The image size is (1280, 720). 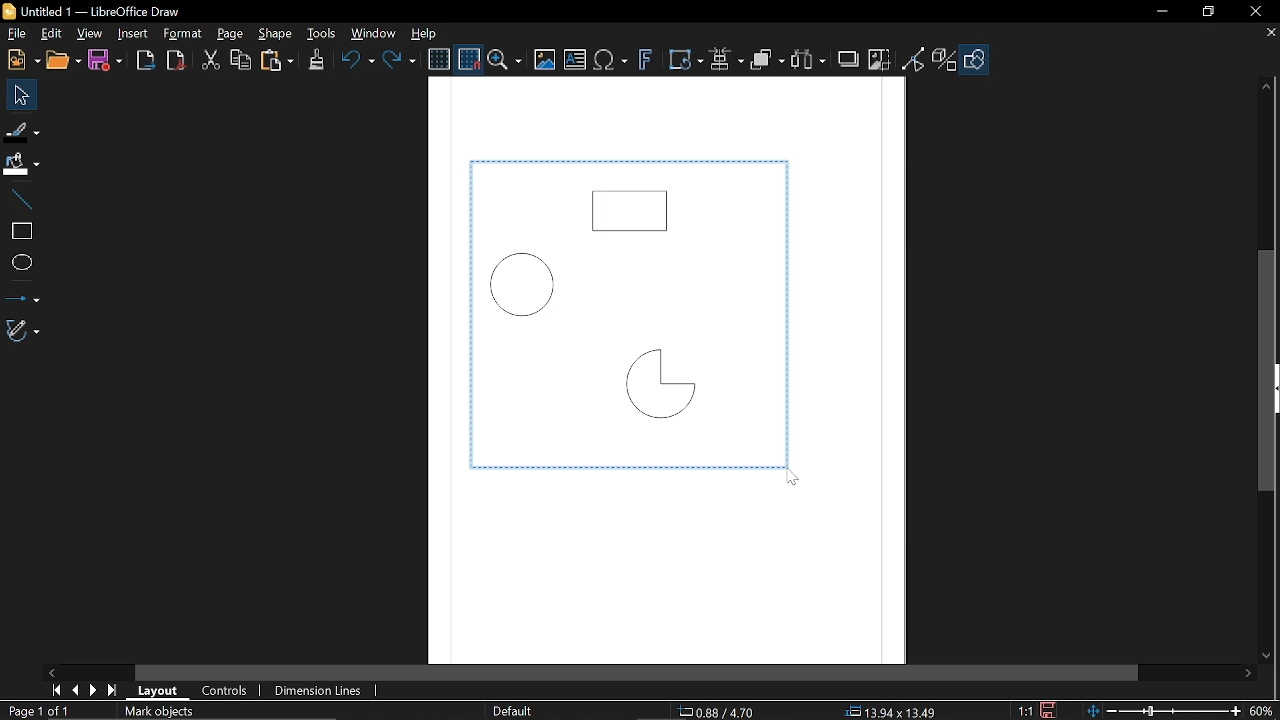 I want to click on horizontal line around objects, so click(x=626, y=470).